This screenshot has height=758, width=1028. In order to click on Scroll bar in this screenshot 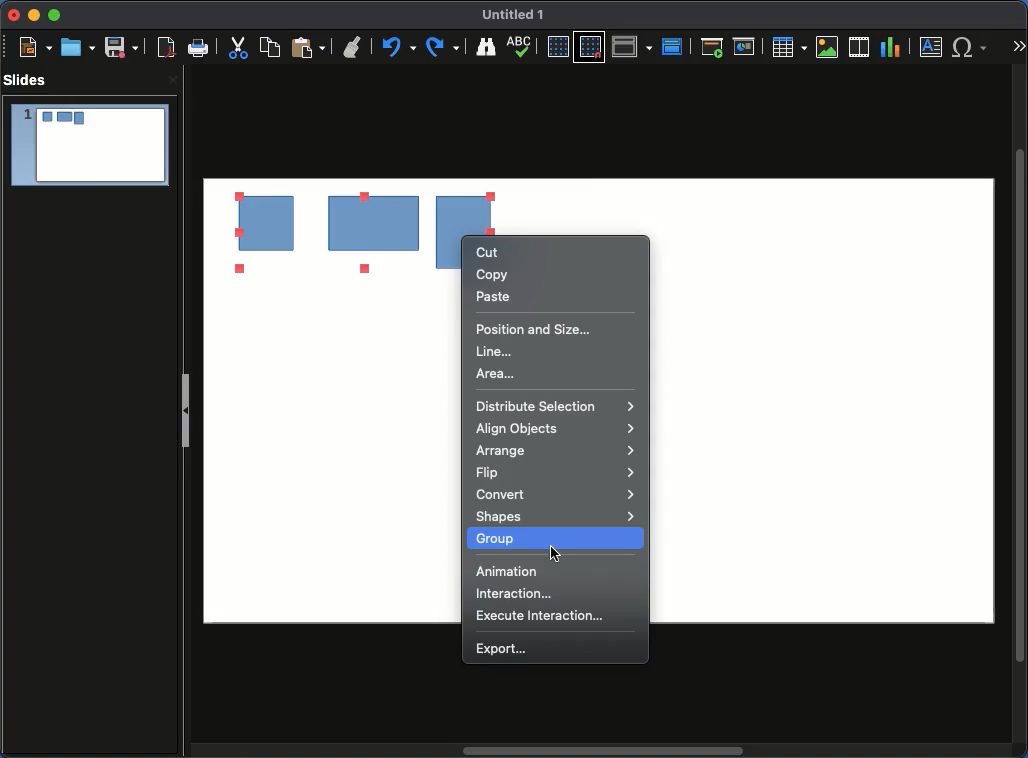, I will do `click(605, 752)`.